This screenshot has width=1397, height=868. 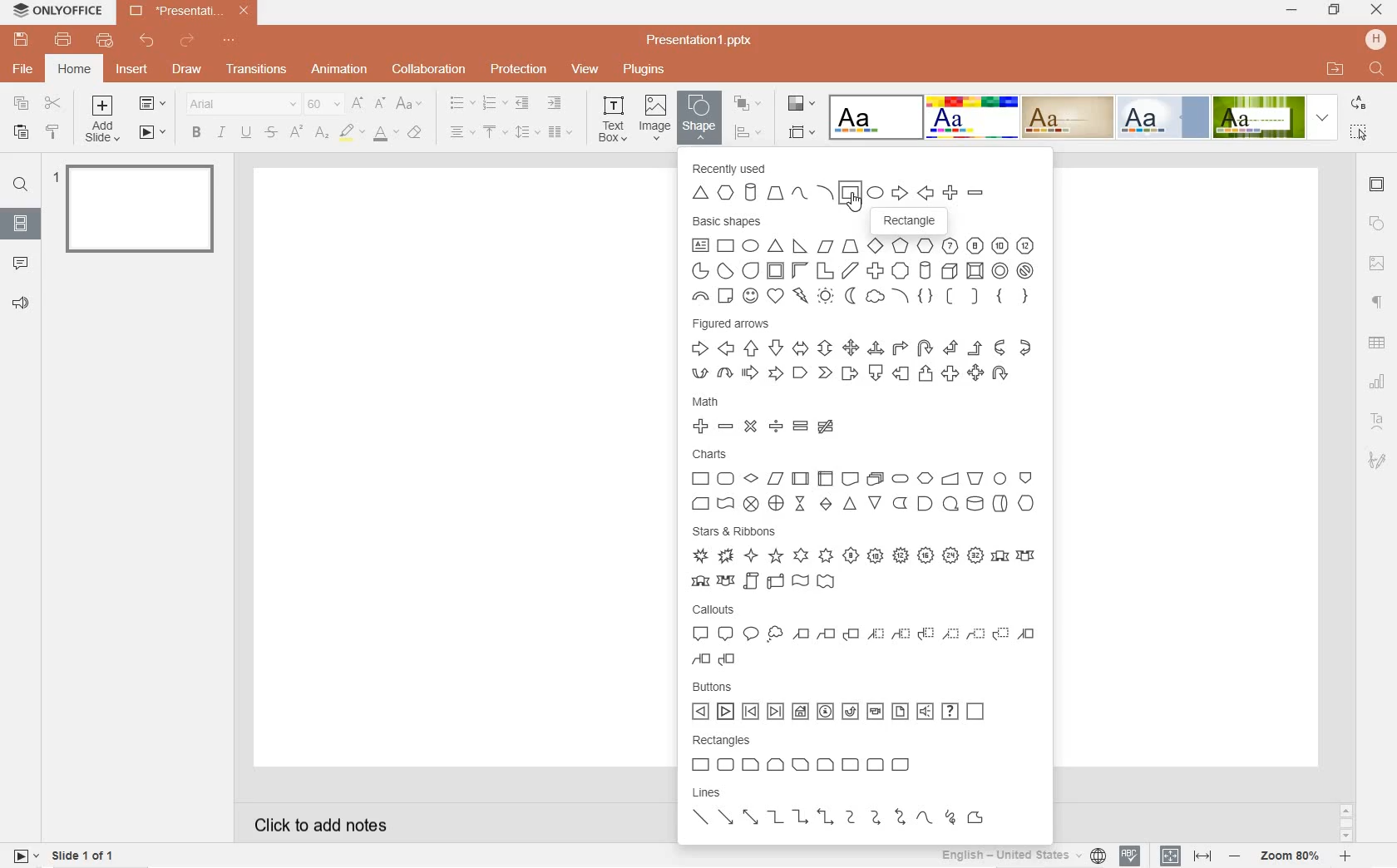 I want to click on Curved up ribbon, so click(x=700, y=579).